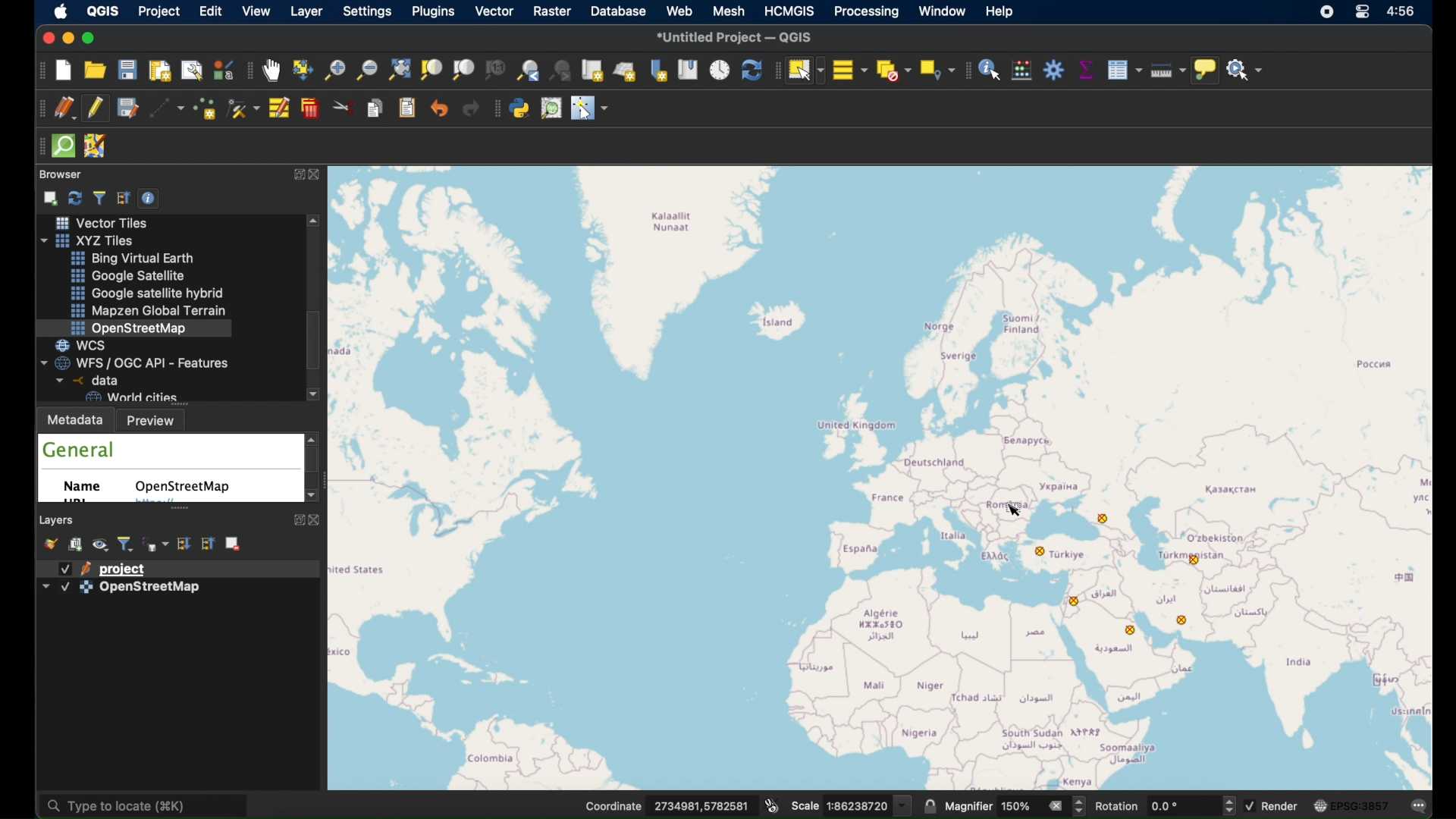 This screenshot has width=1456, height=819. Describe the element at coordinates (45, 37) in the screenshot. I see `close` at that location.